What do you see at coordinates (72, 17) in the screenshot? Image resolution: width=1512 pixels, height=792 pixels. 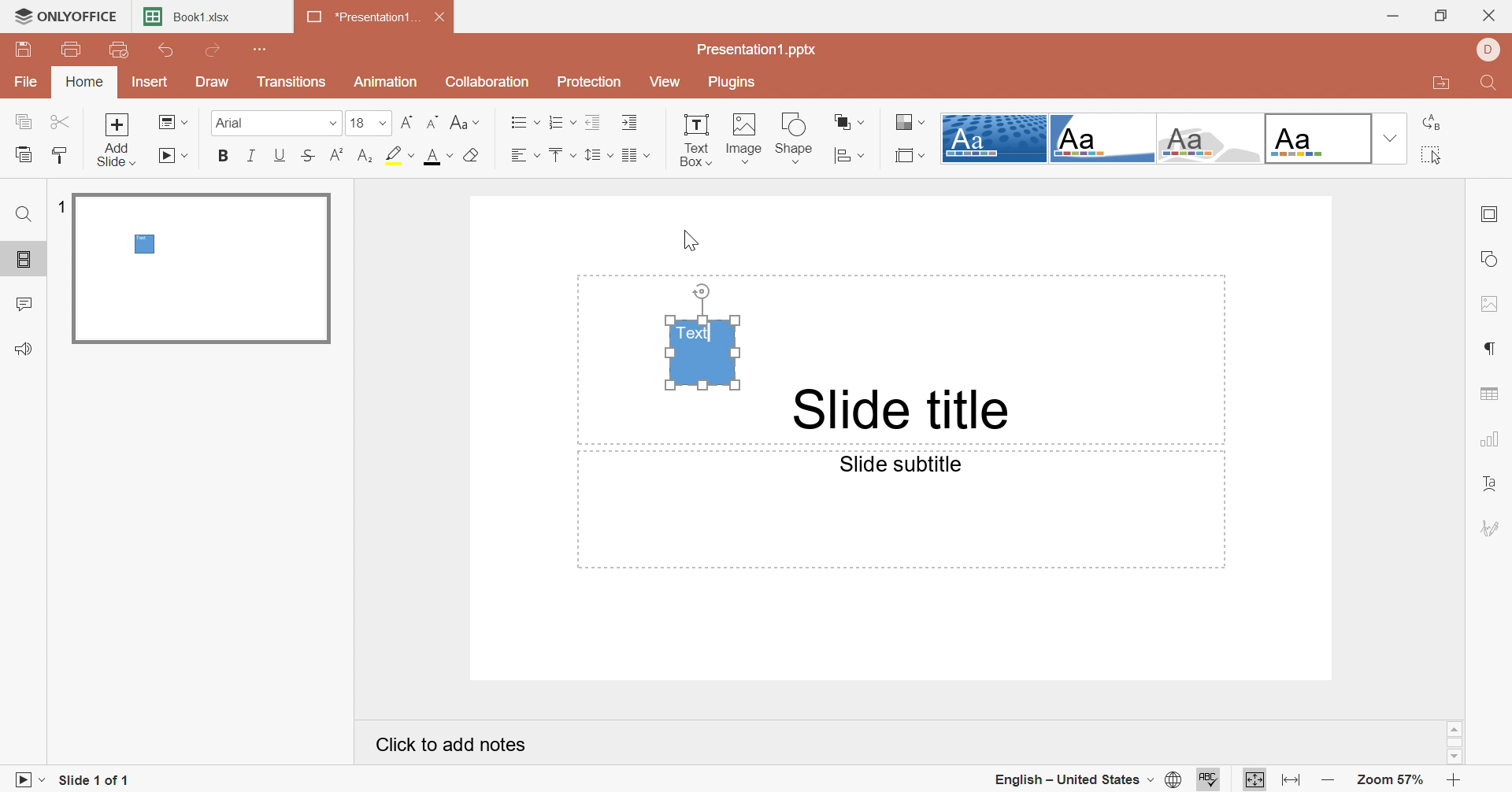 I see `ONLYOFFICE` at bounding box center [72, 17].